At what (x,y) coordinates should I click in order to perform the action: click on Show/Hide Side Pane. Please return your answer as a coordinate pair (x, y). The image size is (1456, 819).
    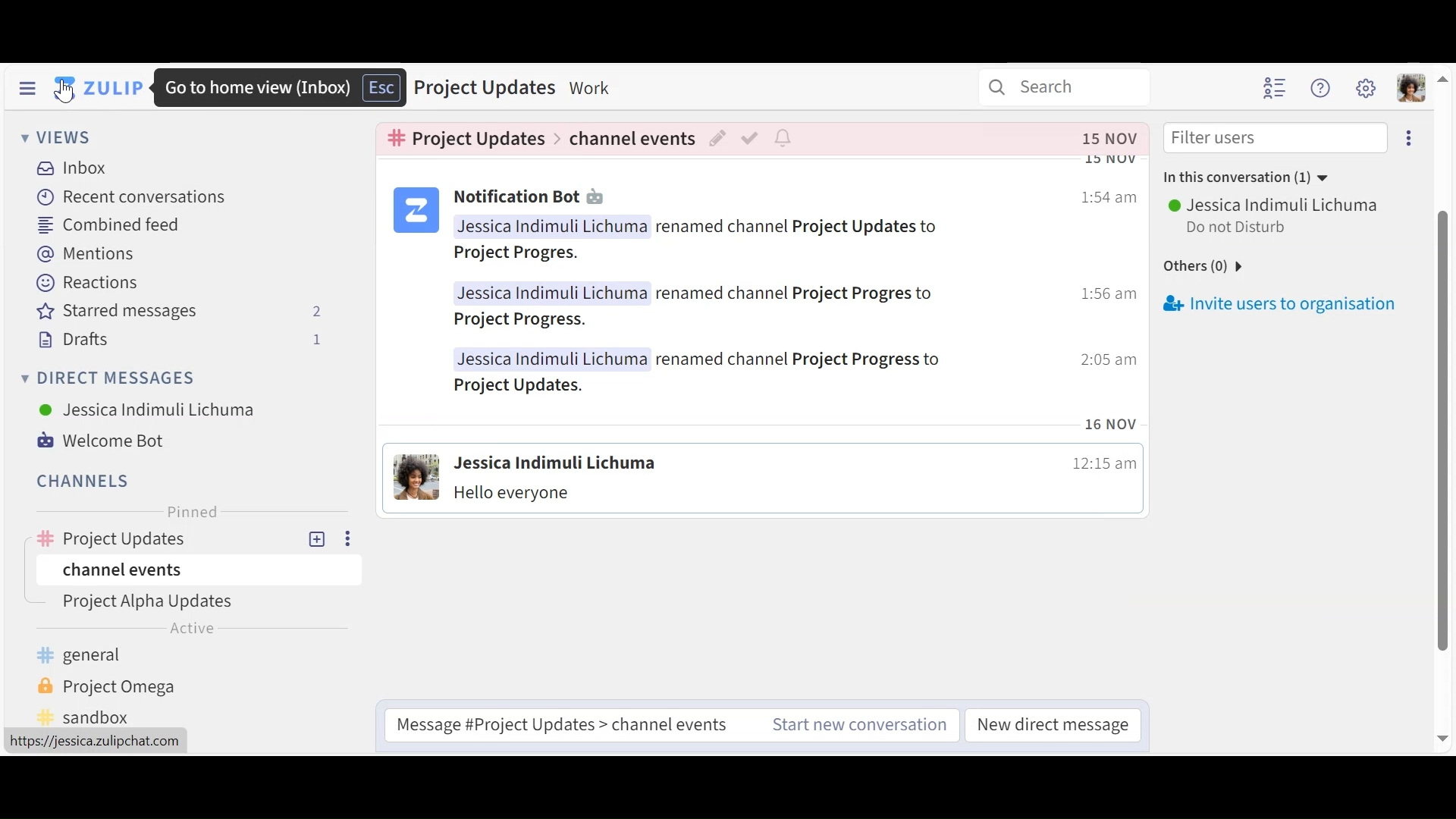
    Looking at the image, I should click on (27, 89).